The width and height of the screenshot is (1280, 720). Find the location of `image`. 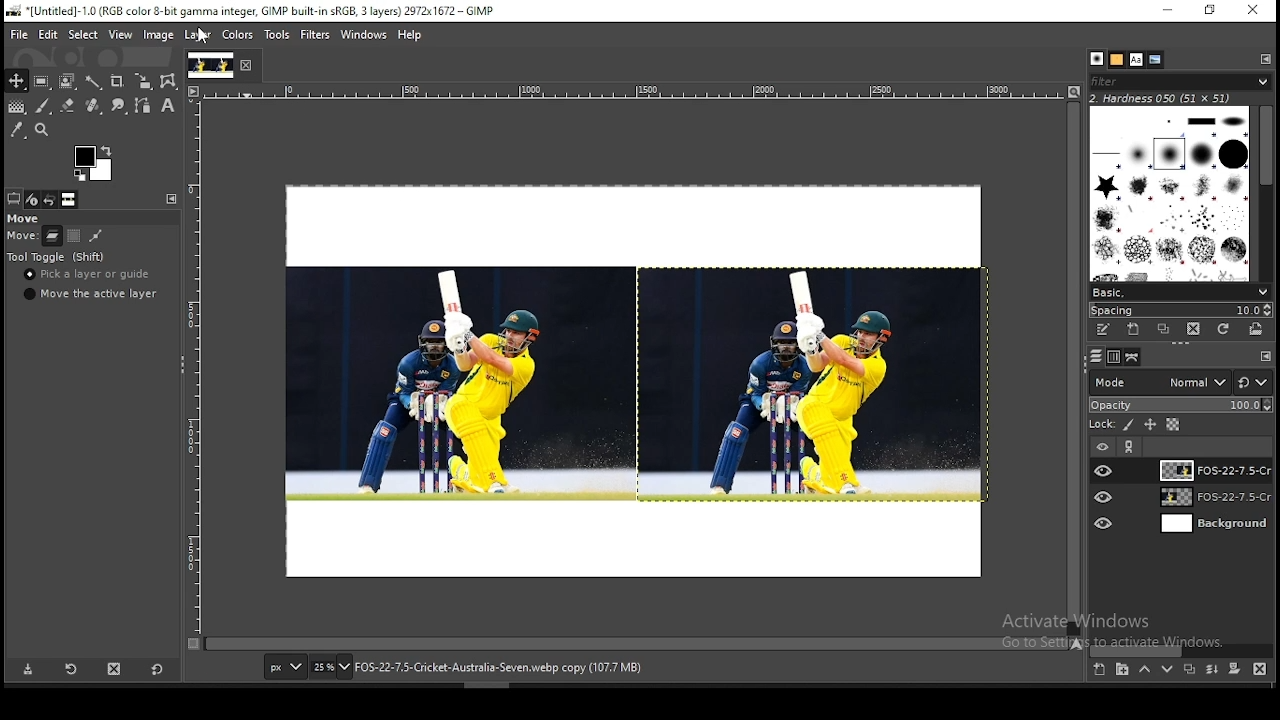

image is located at coordinates (456, 383).